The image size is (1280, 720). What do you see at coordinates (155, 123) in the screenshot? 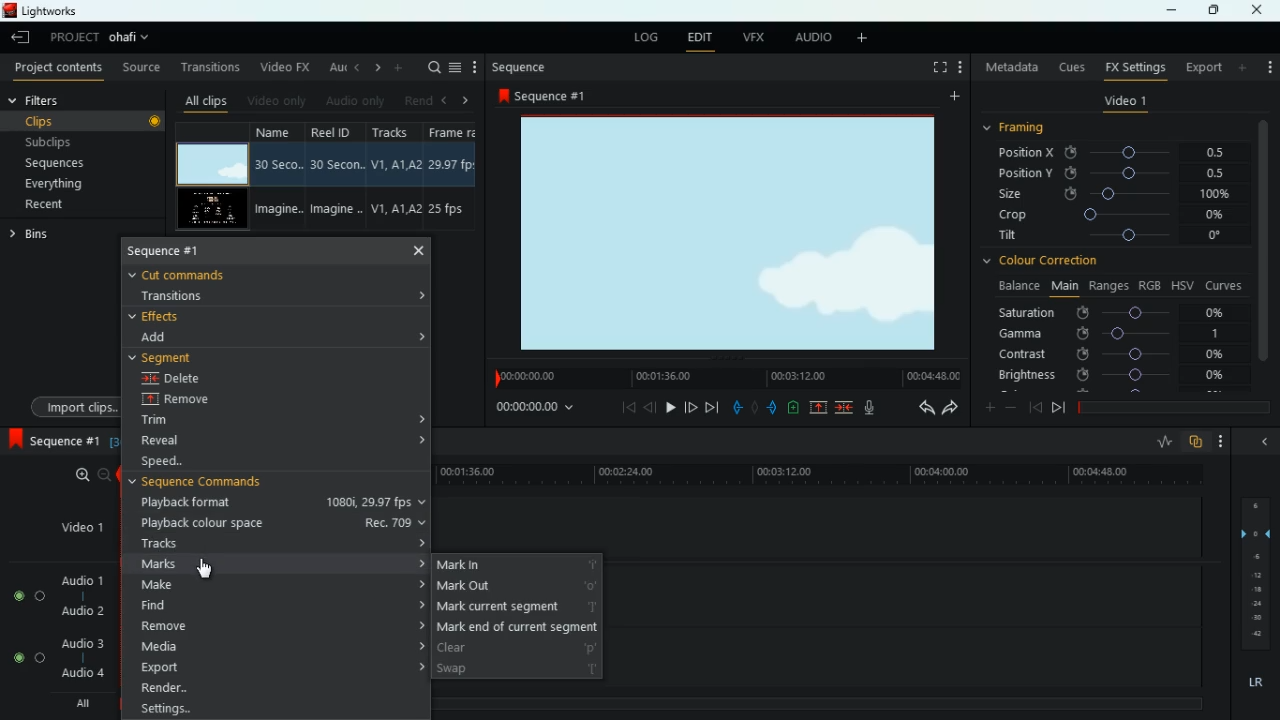
I see `` at bounding box center [155, 123].